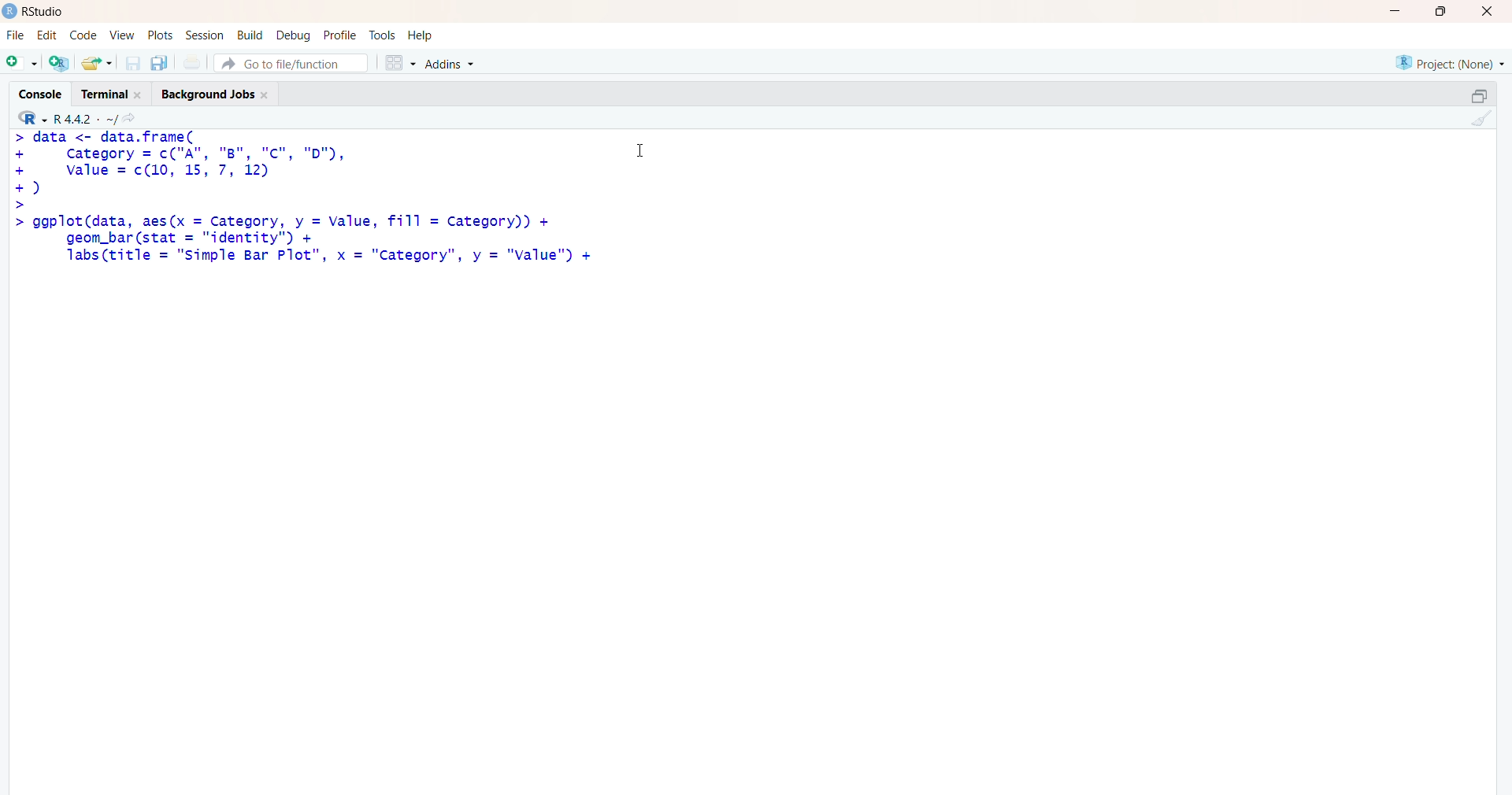  What do you see at coordinates (1400, 11) in the screenshot?
I see `minimize` at bounding box center [1400, 11].